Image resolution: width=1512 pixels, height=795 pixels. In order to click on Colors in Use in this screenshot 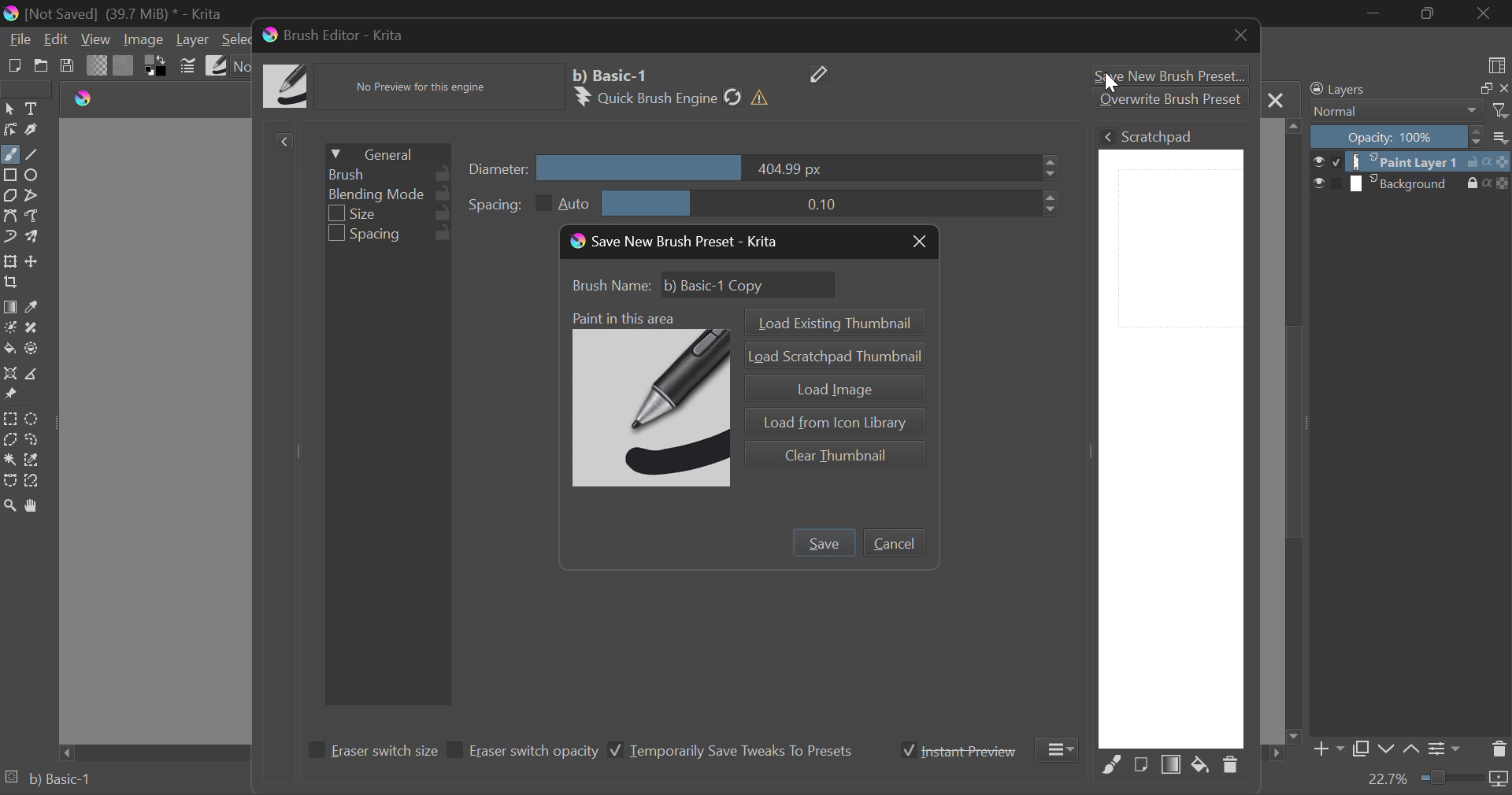, I will do `click(157, 65)`.